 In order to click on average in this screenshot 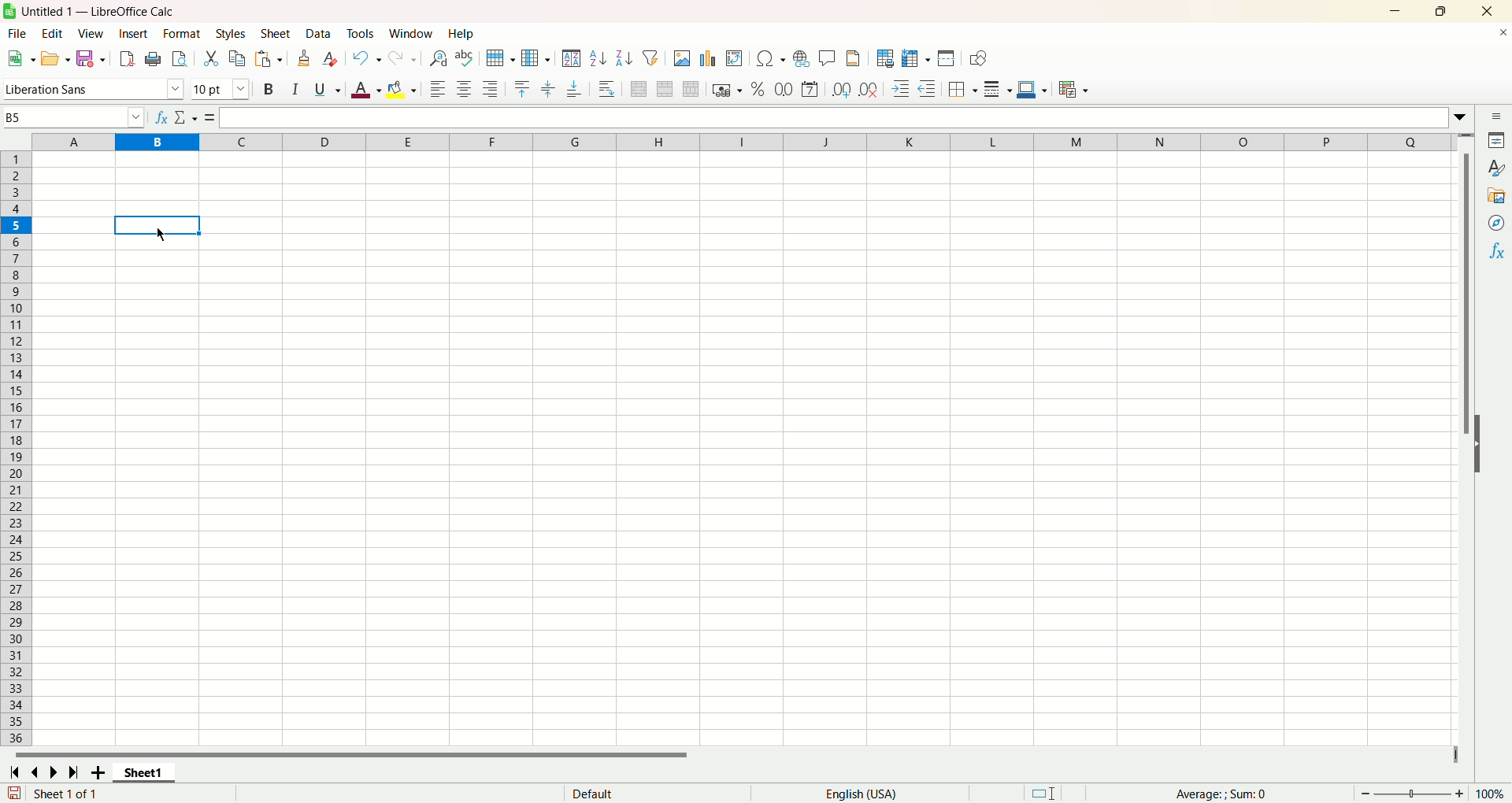, I will do `click(1228, 794)`.